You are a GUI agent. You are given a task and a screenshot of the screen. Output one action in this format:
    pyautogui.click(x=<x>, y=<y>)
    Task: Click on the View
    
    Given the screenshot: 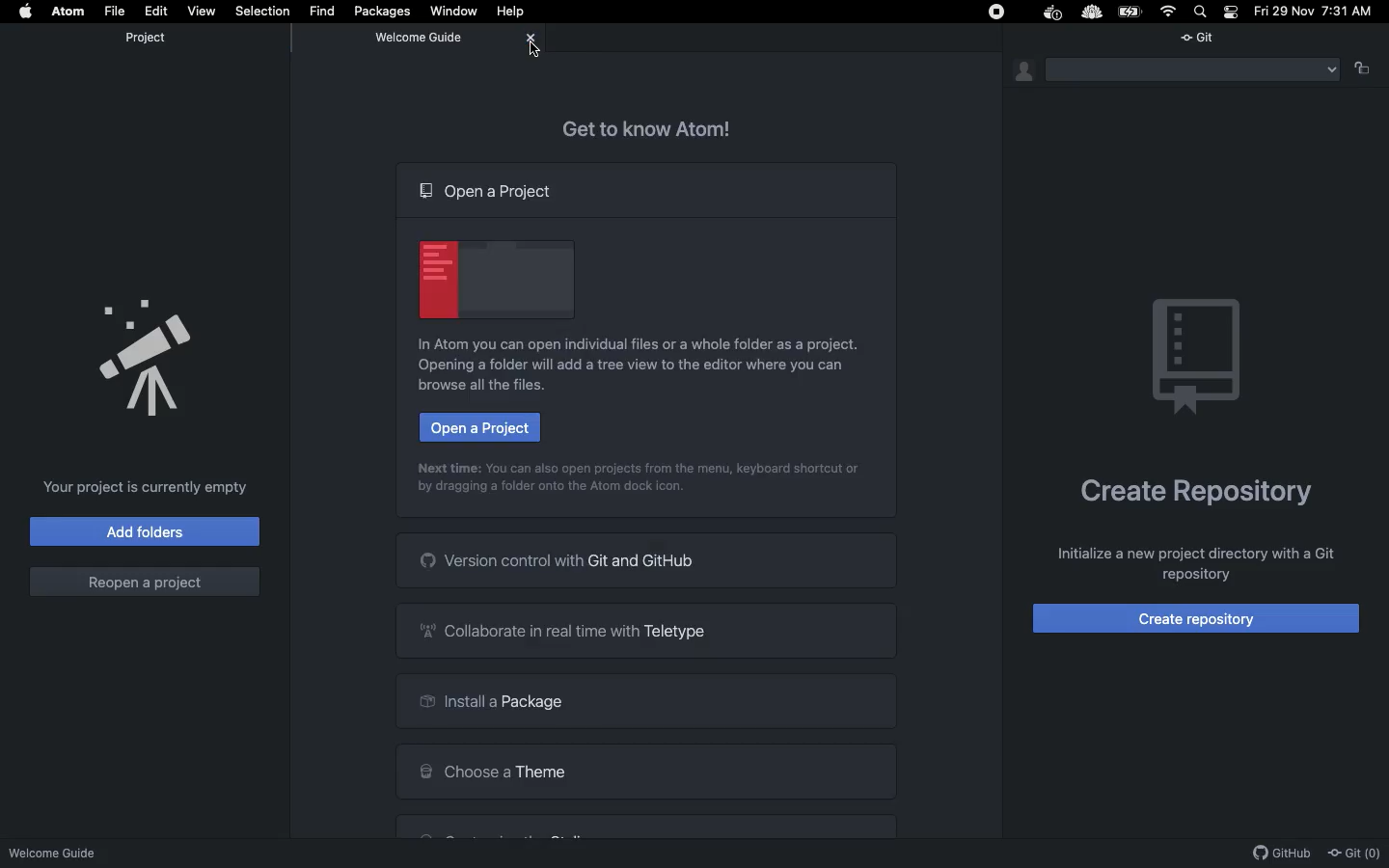 What is the action you would take?
    pyautogui.click(x=202, y=11)
    